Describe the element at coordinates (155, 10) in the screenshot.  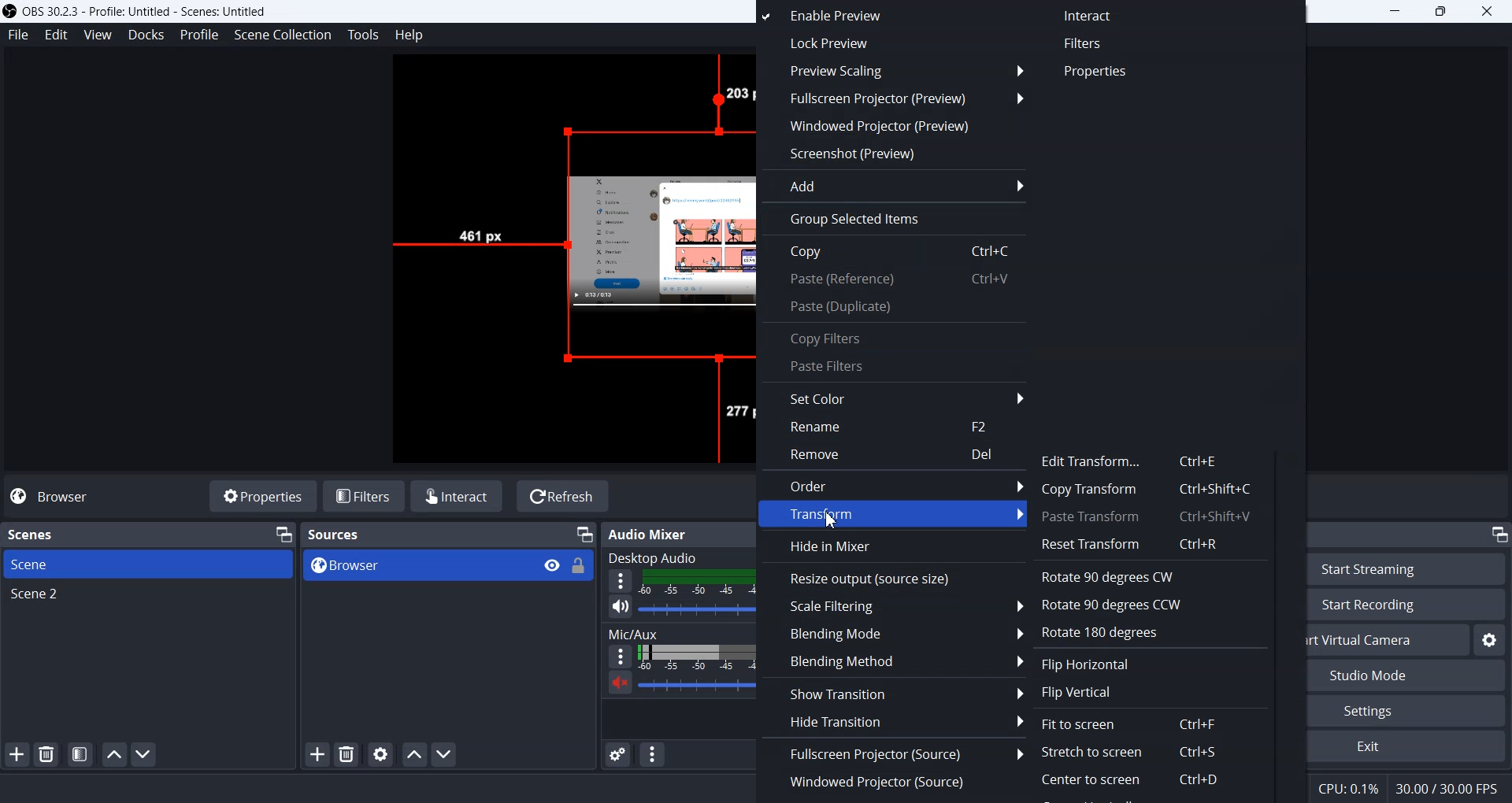
I see `gp OBS 30.2.3 - Profile: Untitled - Scenes: Untitled` at that location.